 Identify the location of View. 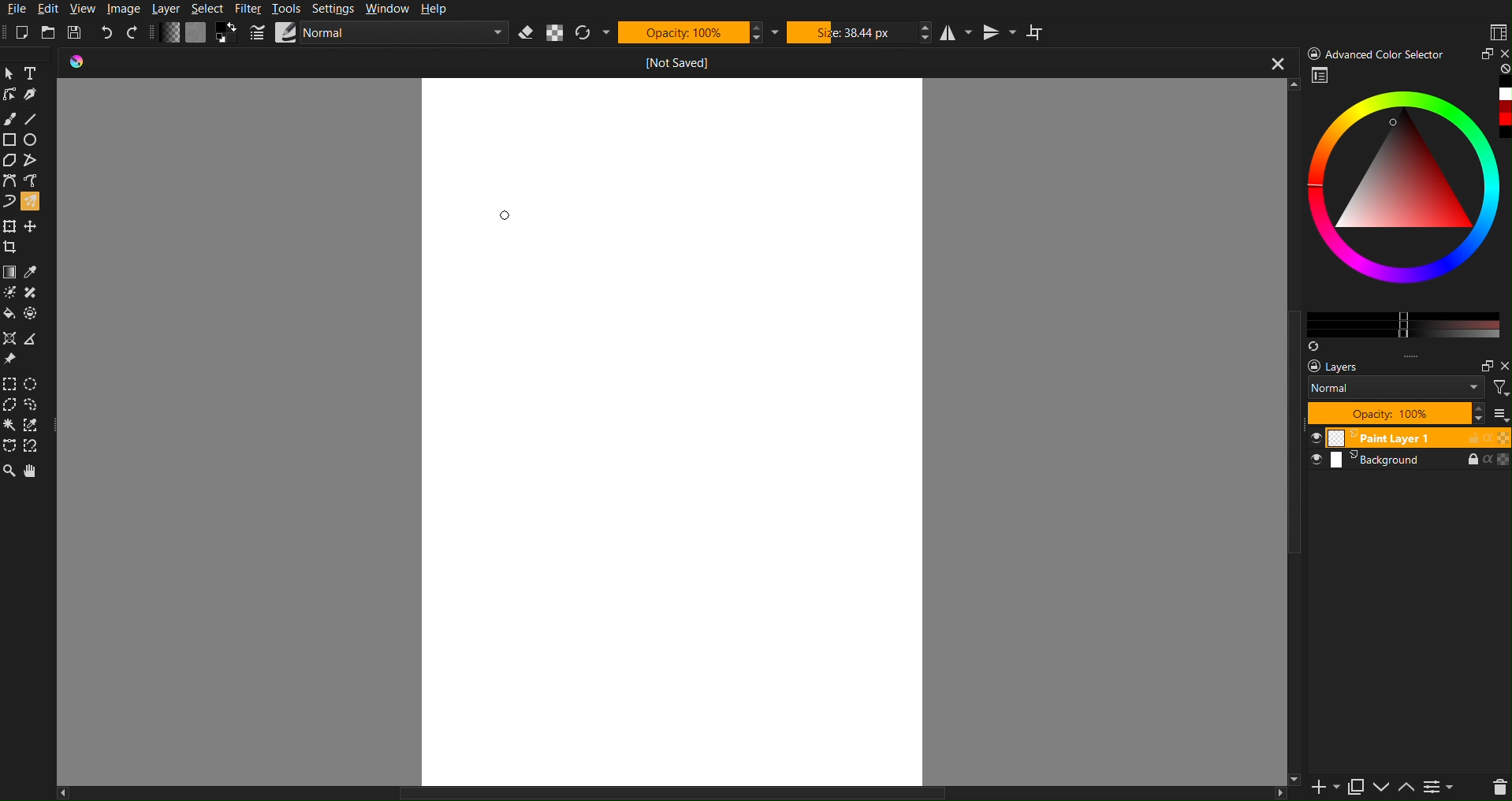
(84, 9).